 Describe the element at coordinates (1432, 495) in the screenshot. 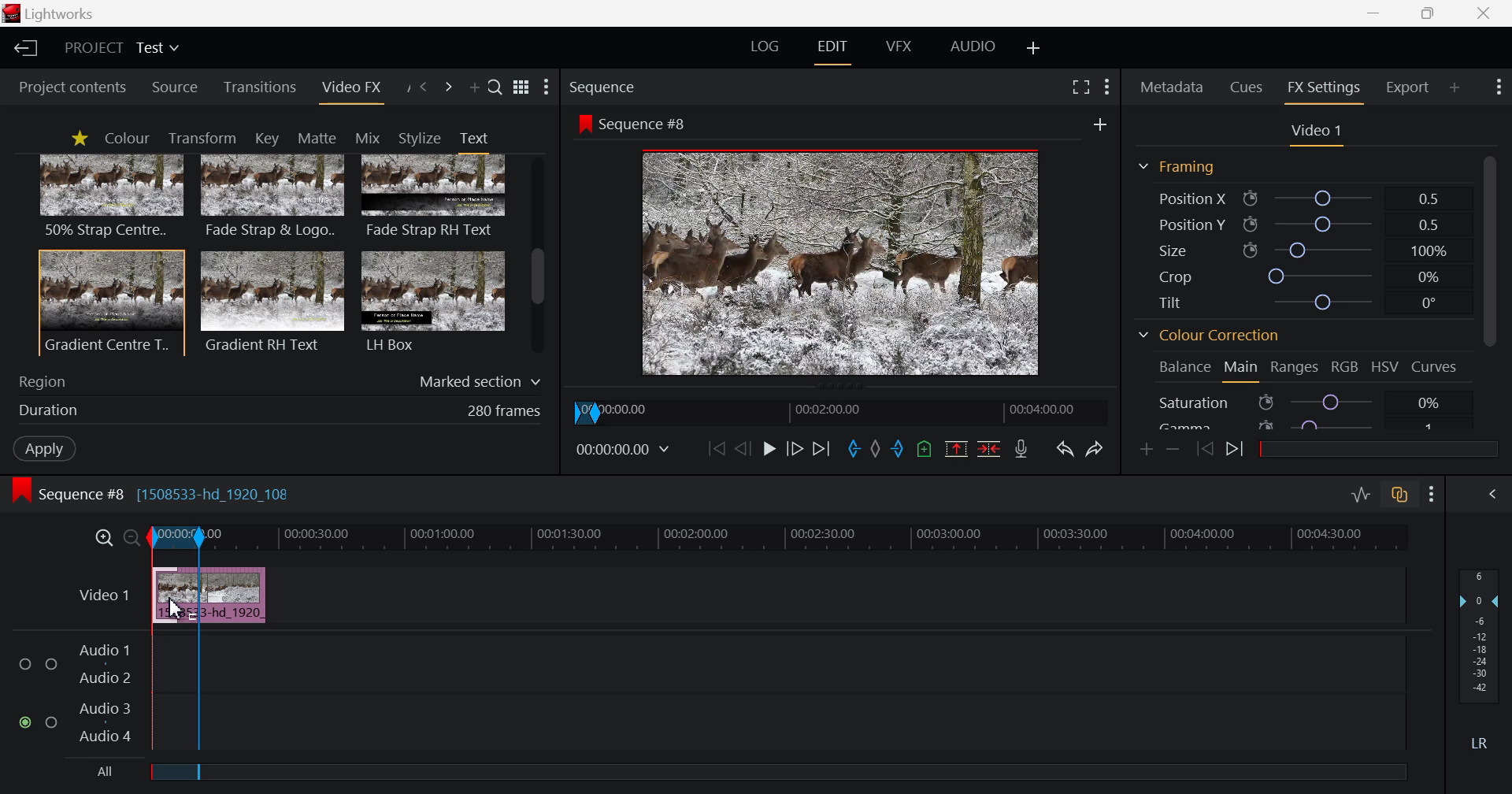

I see `Settings` at that location.